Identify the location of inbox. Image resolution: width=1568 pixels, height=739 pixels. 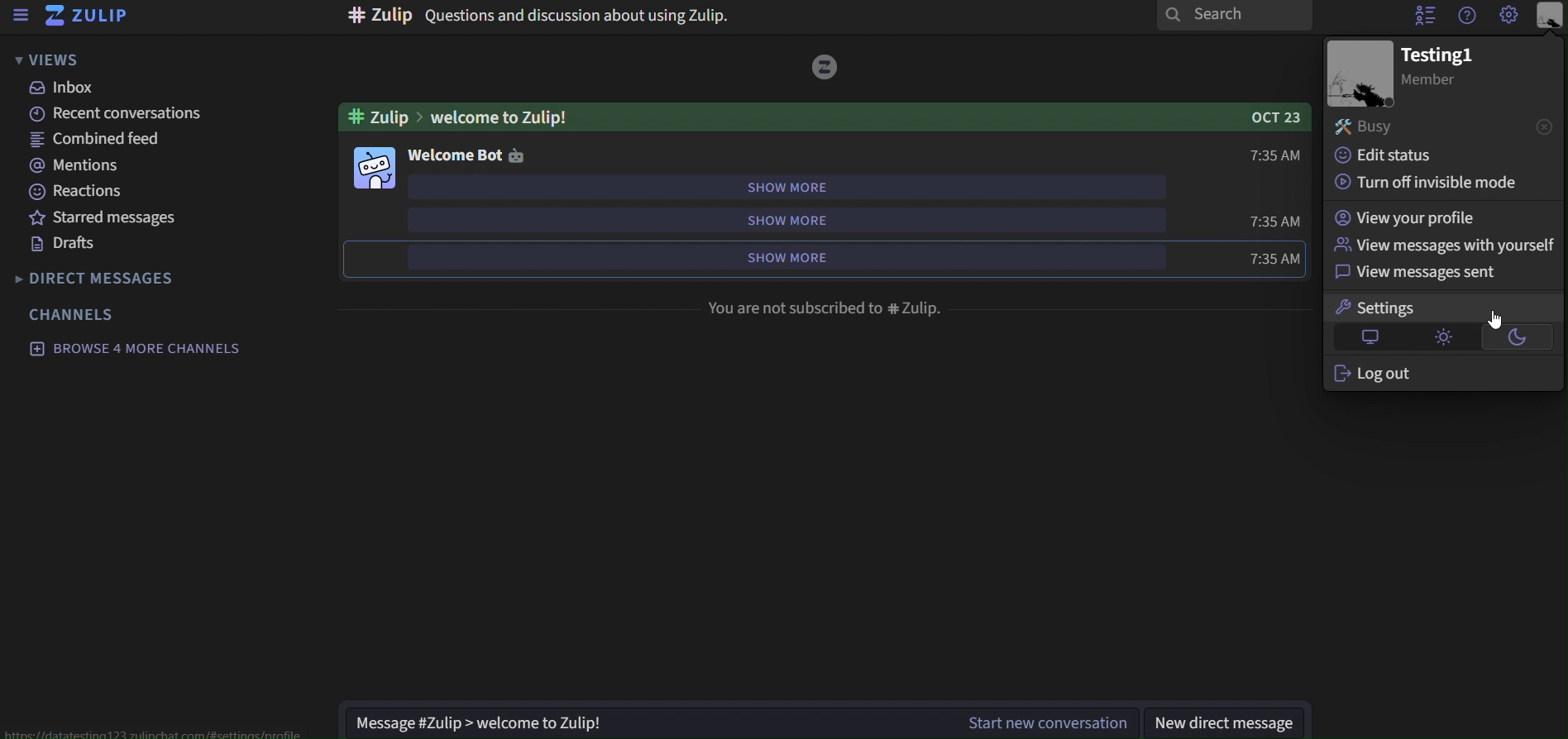
(133, 88).